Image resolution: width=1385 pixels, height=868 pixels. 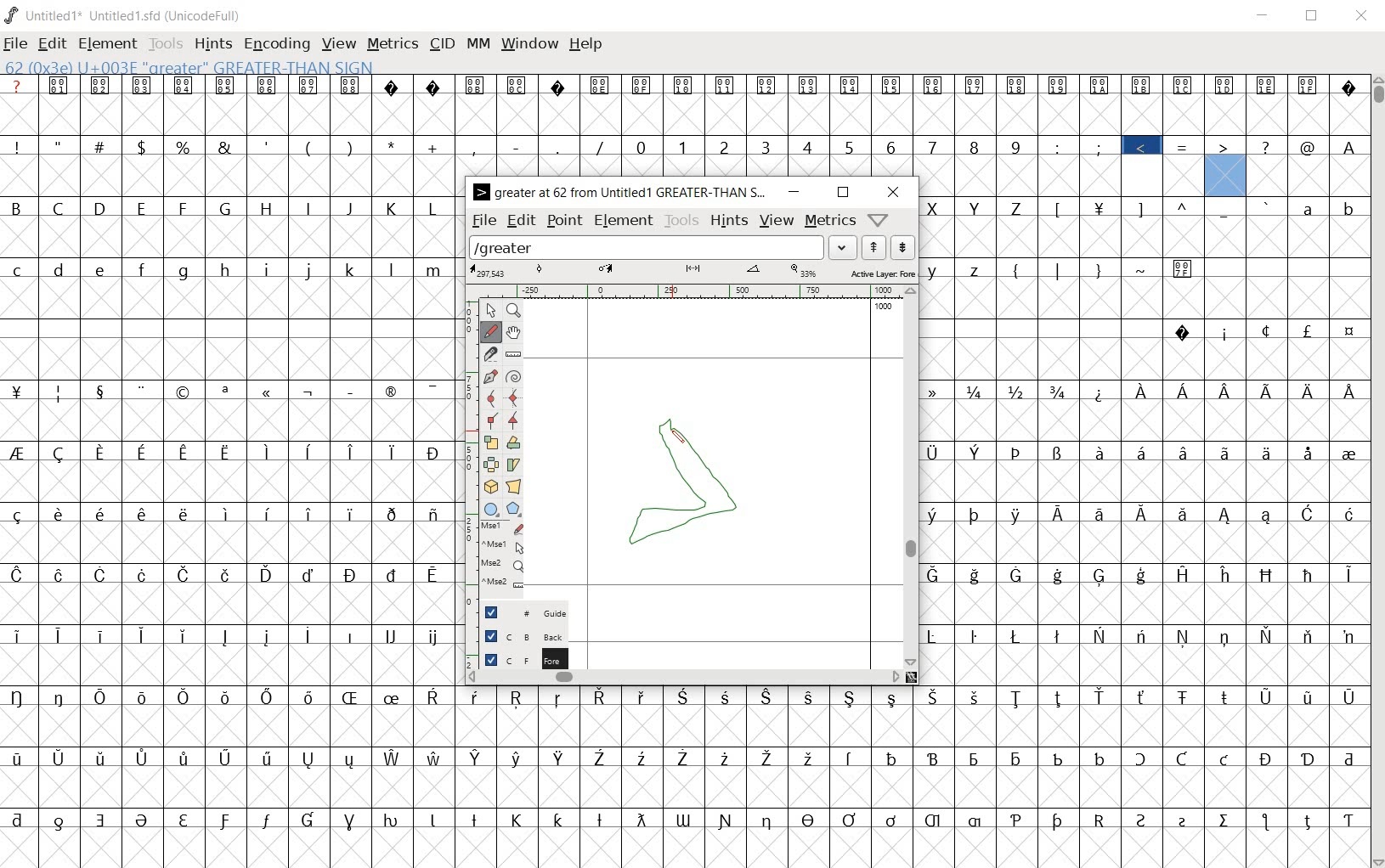 I want to click on minimize, so click(x=1263, y=16).